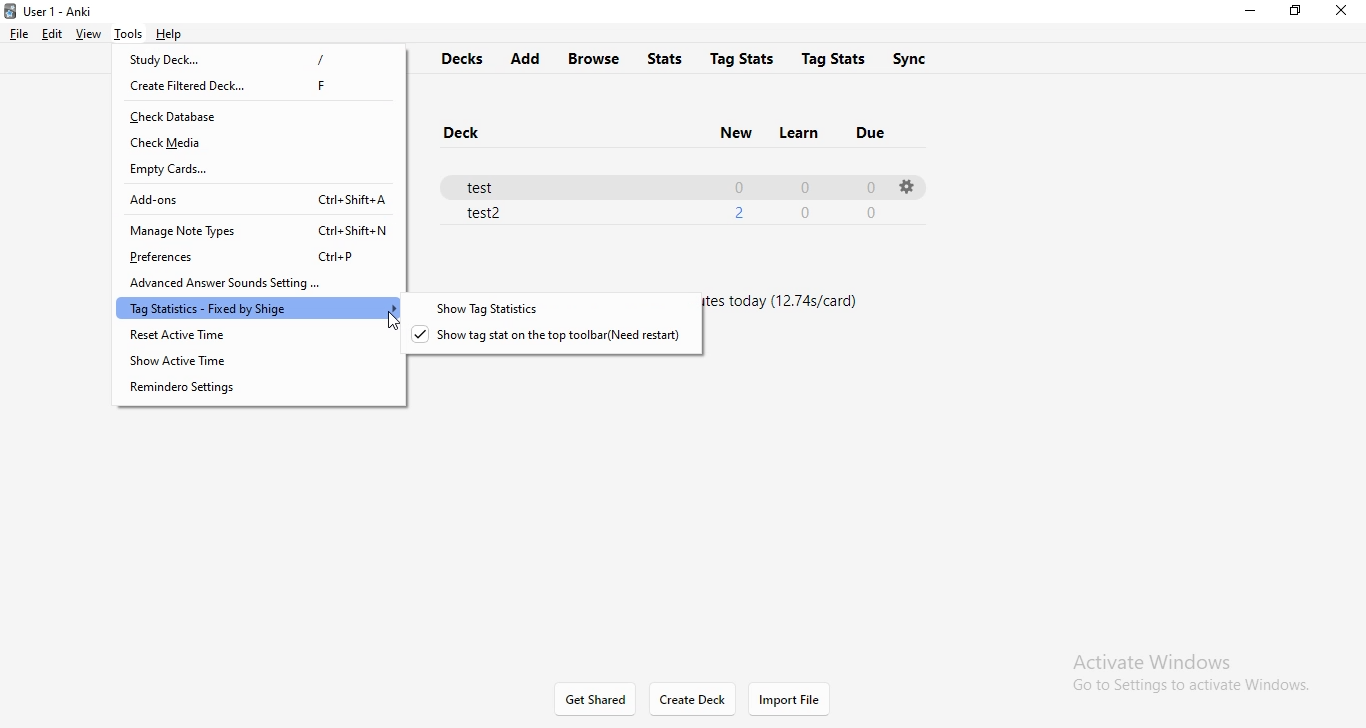  I want to click on text1, so click(796, 316).